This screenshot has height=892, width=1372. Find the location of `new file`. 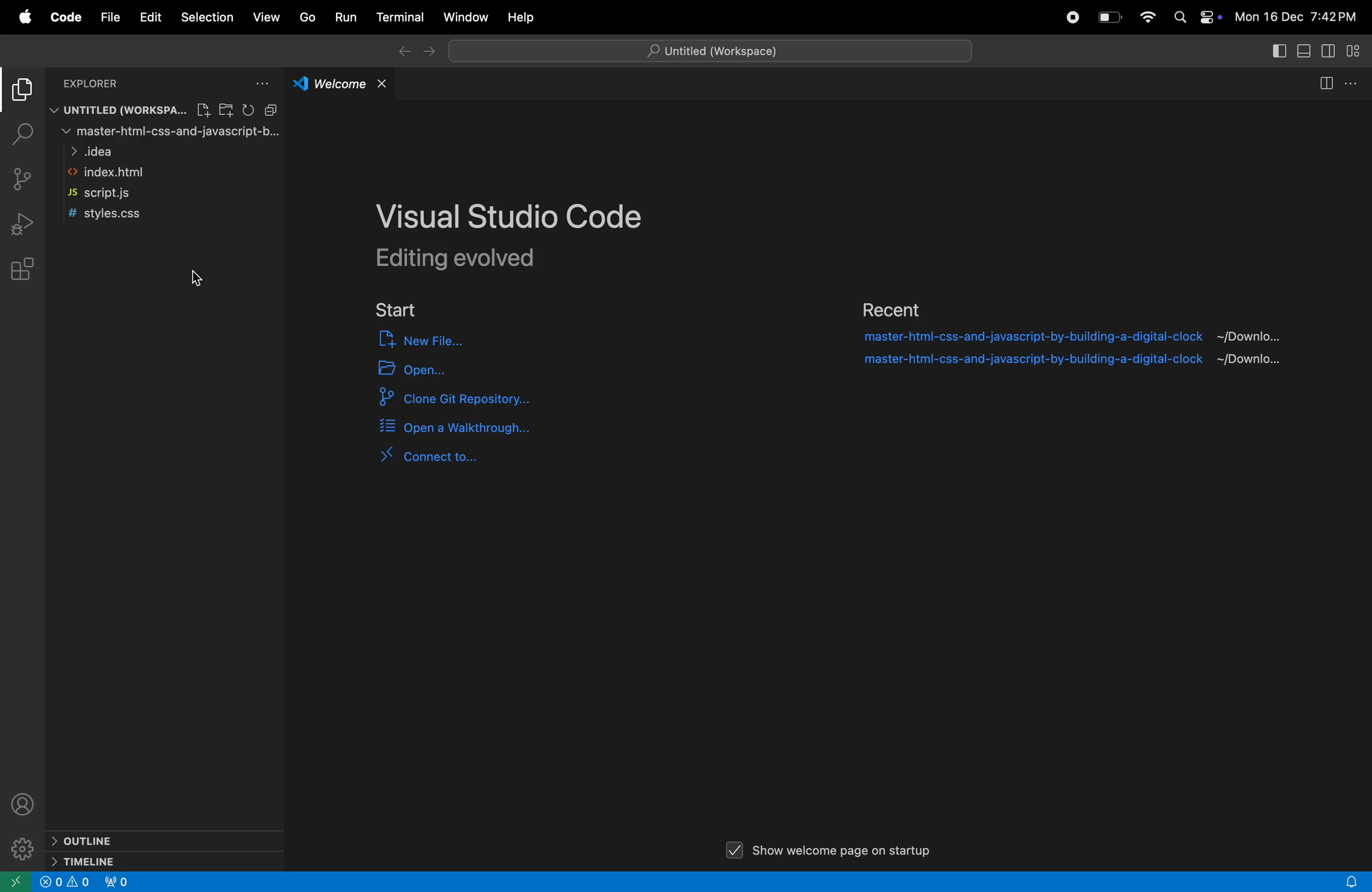

new file is located at coordinates (437, 342).